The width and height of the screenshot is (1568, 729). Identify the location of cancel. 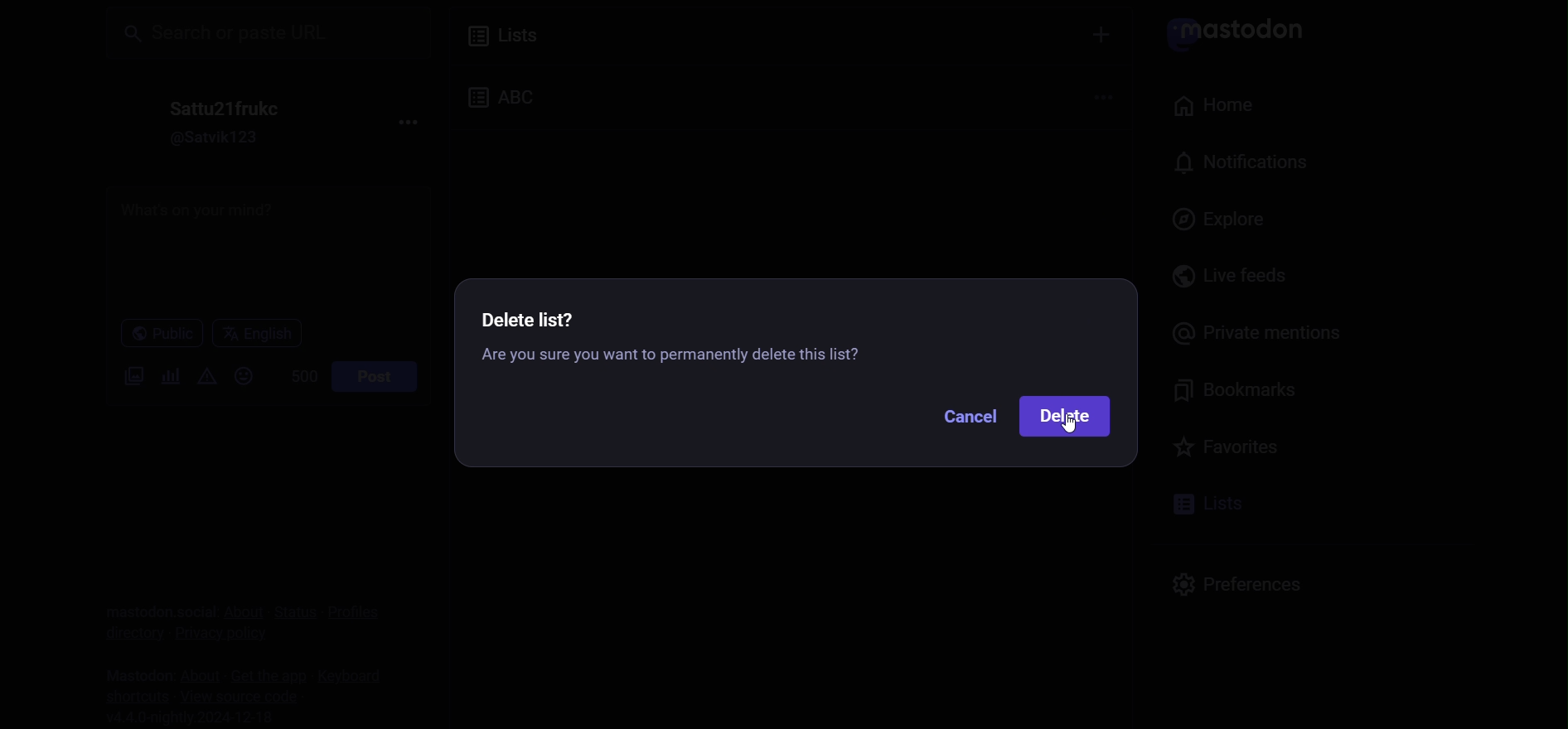
(971, 418).